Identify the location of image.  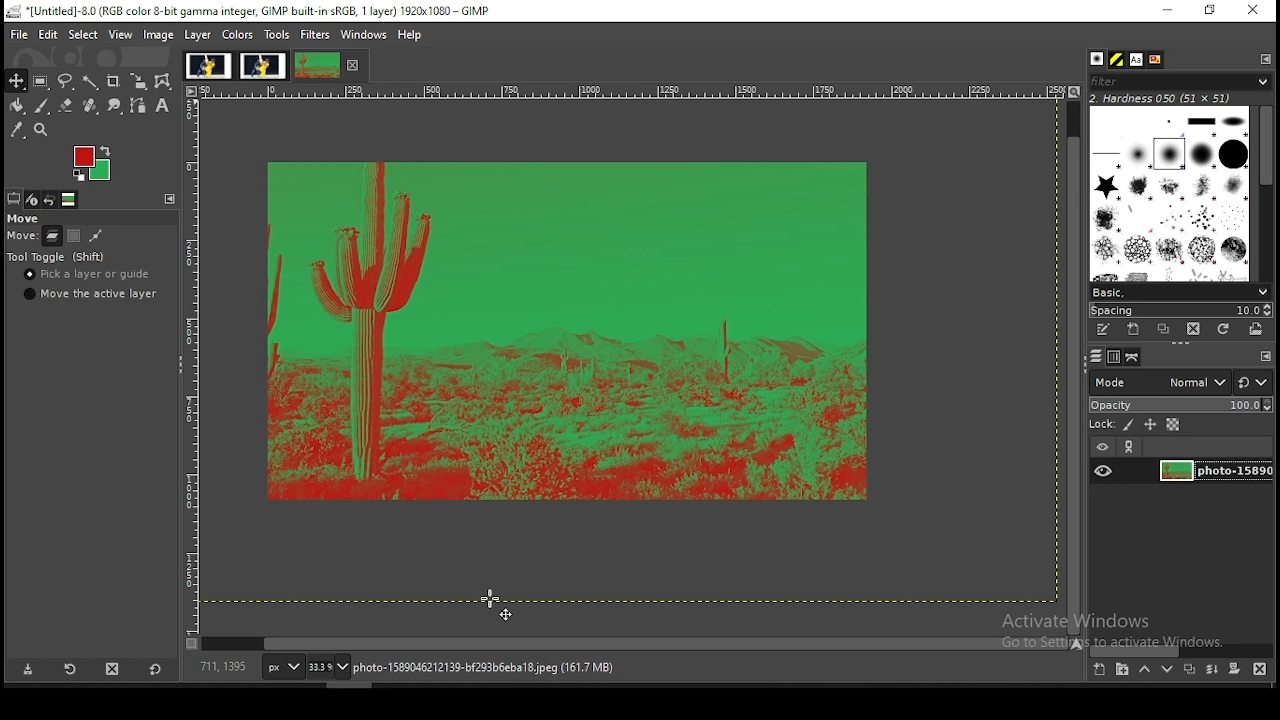
(159, 35).